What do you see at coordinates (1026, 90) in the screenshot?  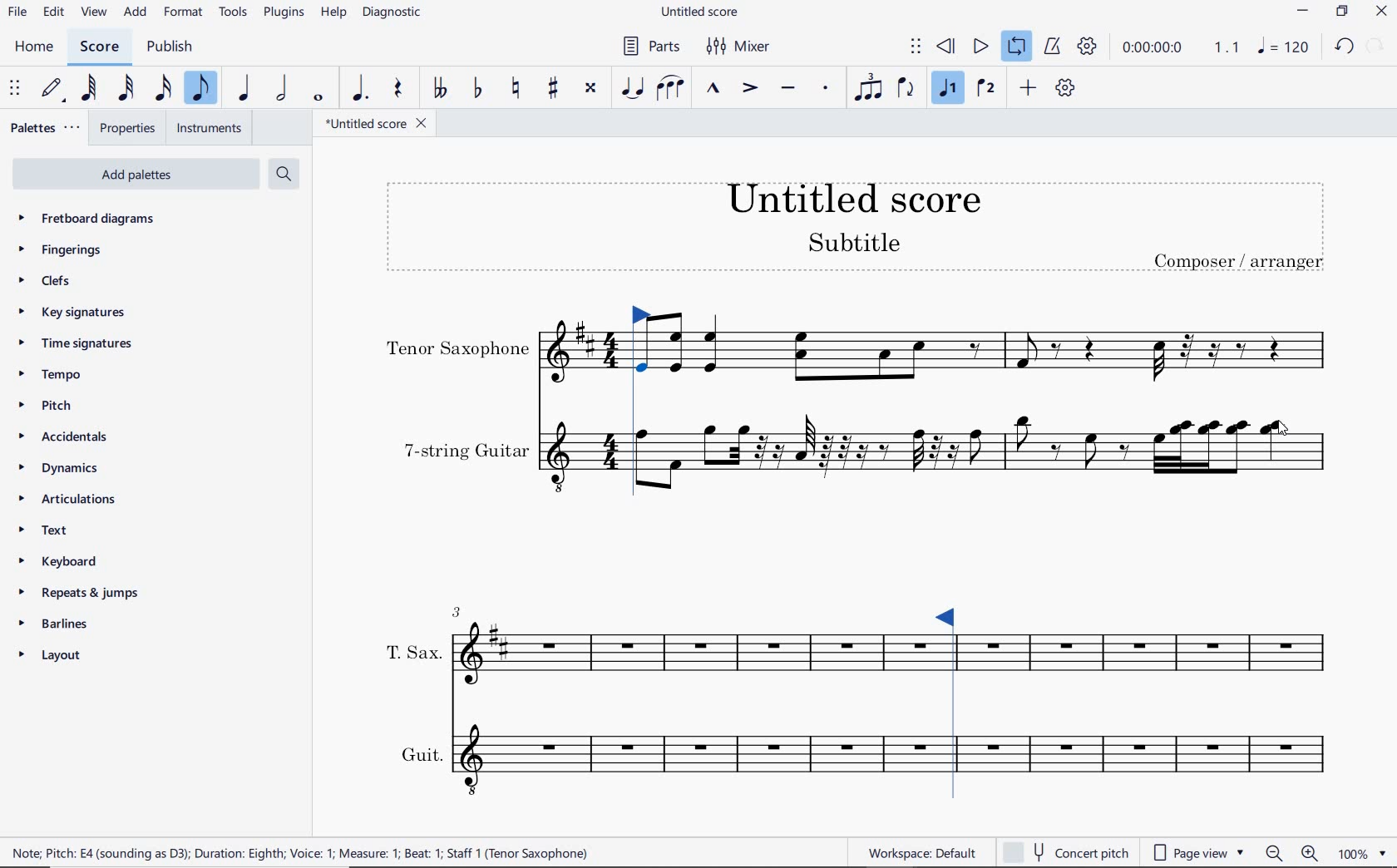 I see `ADD` at bounding box center [1026, 90].